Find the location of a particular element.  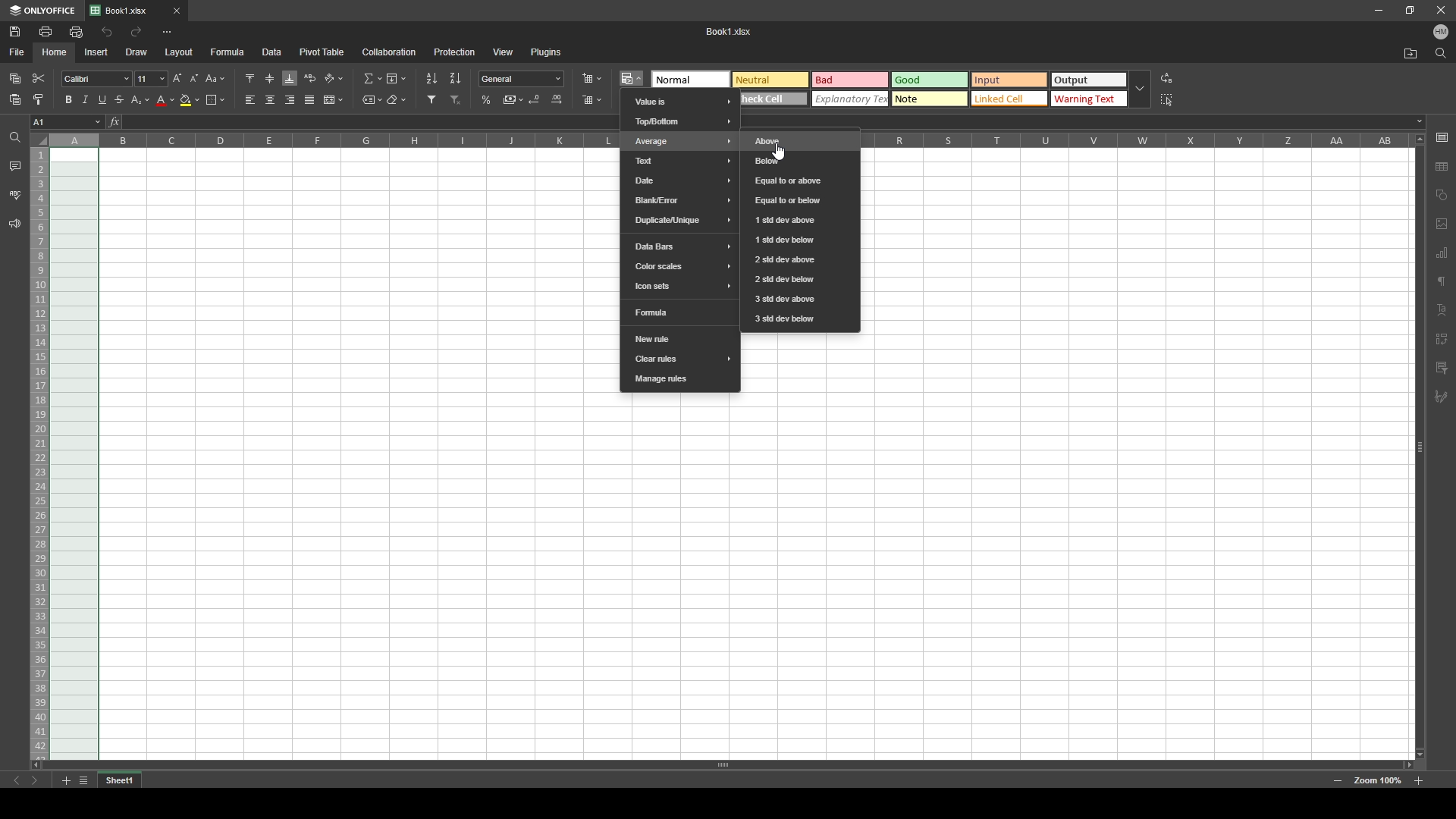

color scales is located at coordinates (681, 266).